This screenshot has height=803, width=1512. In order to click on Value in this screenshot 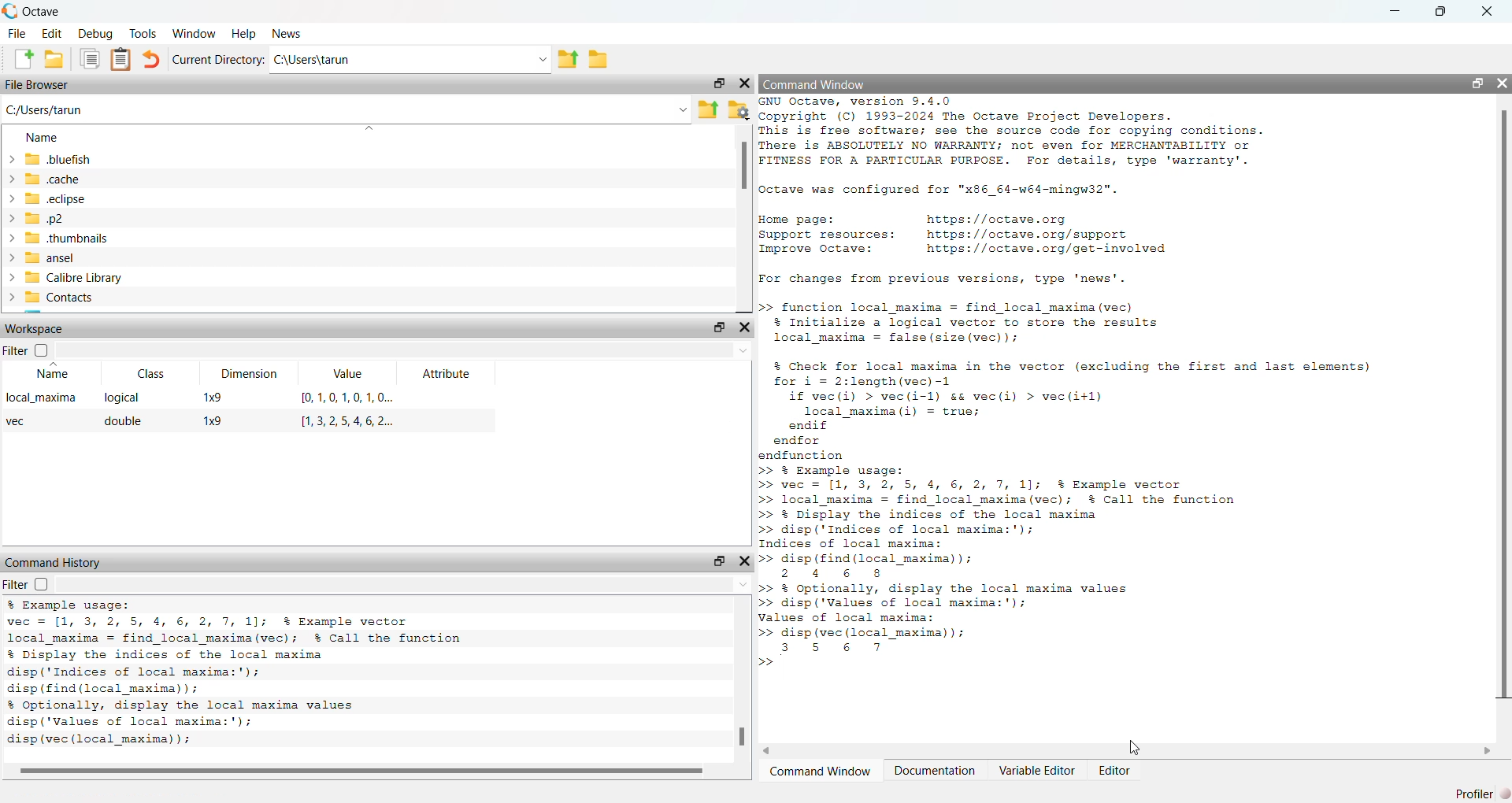, I will do `click(347, 375)`.